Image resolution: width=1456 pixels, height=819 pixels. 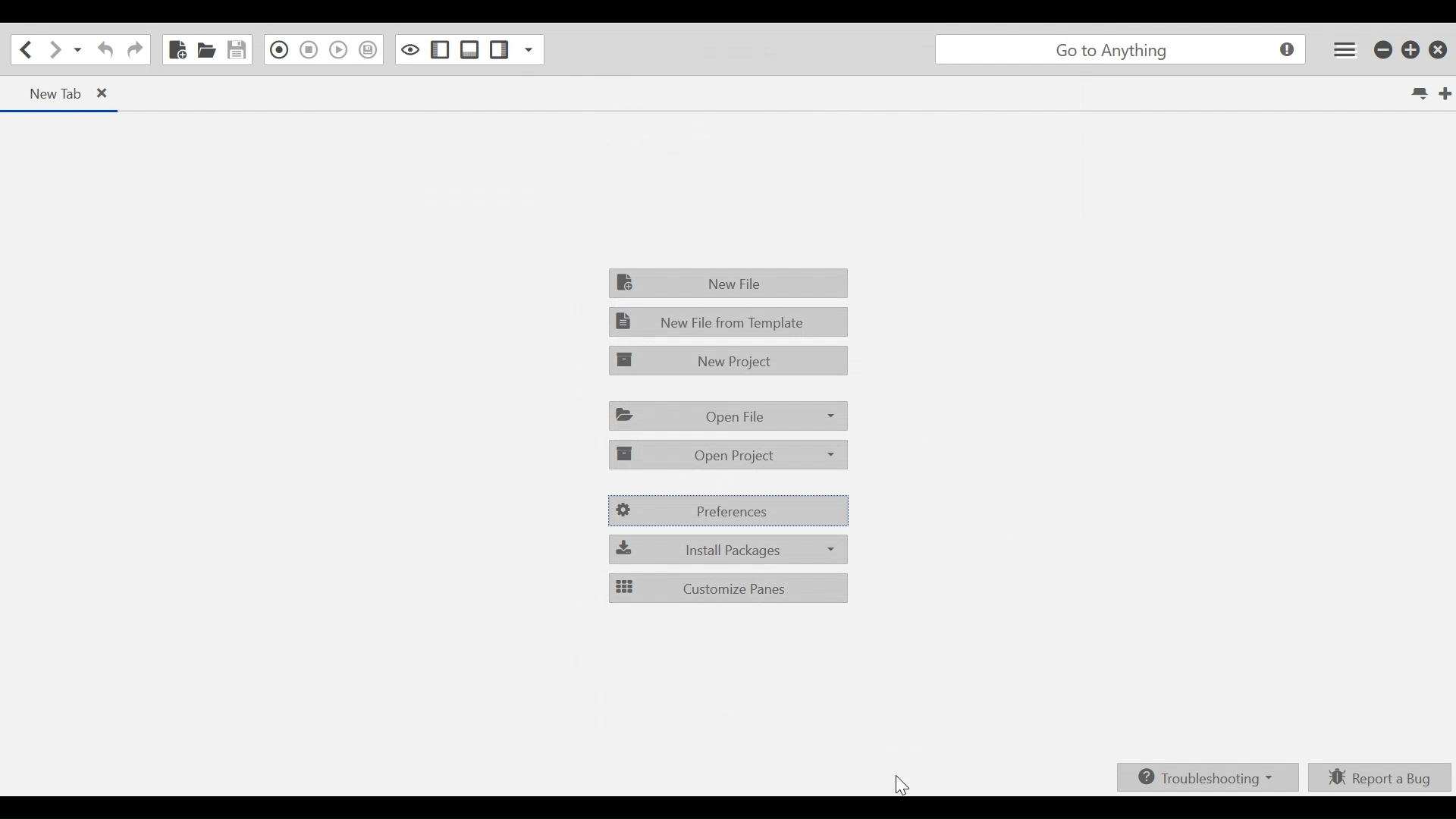 What do you see at coordinates (1208, 778) in the screenshot?
I see `Troubleshooting` at bounding box center [1208, 778].